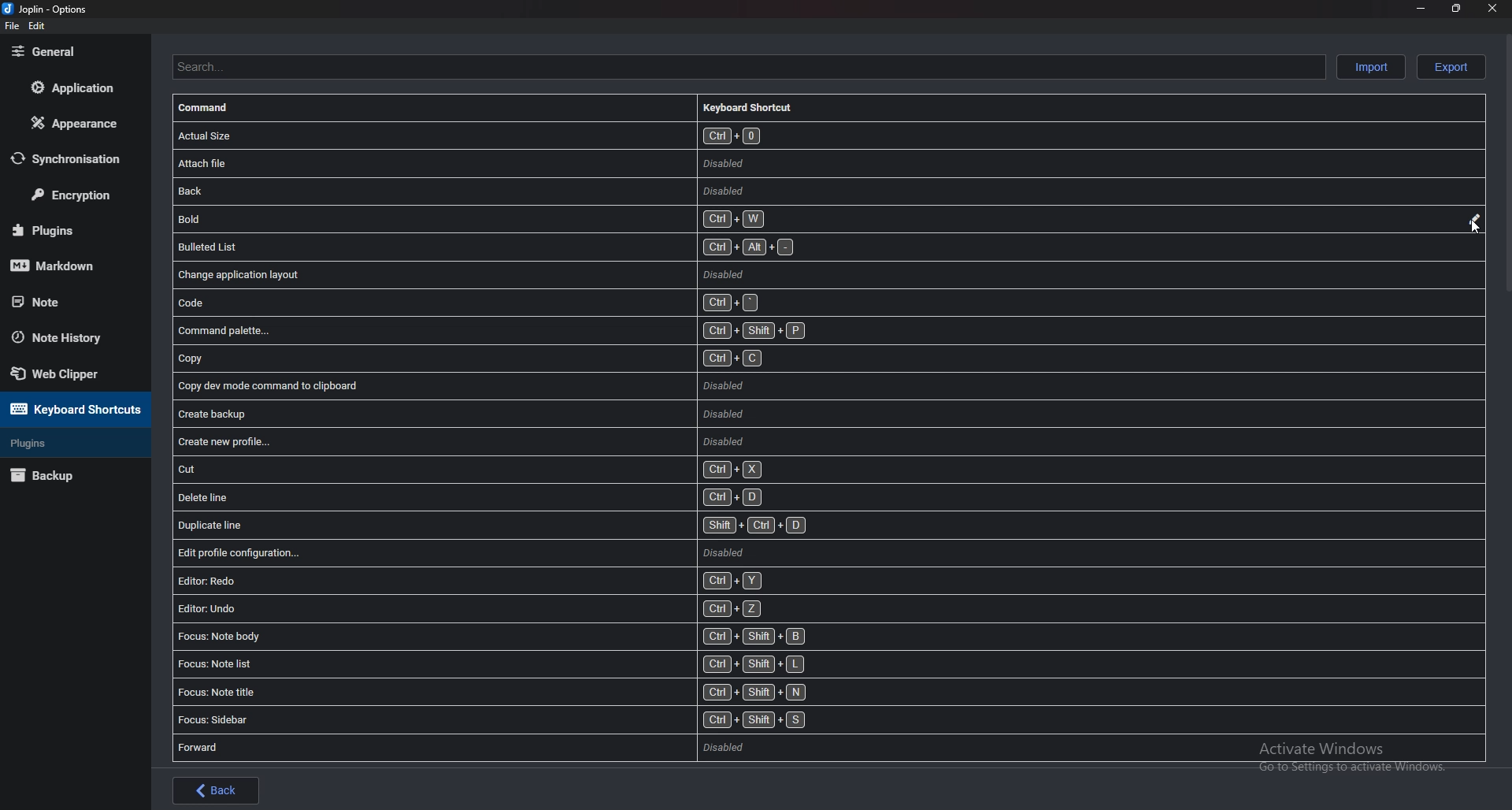  What do you see at coordinates (528, 693) in the screenshot?
I see `Focus note title` at bounding box center [528, 693].